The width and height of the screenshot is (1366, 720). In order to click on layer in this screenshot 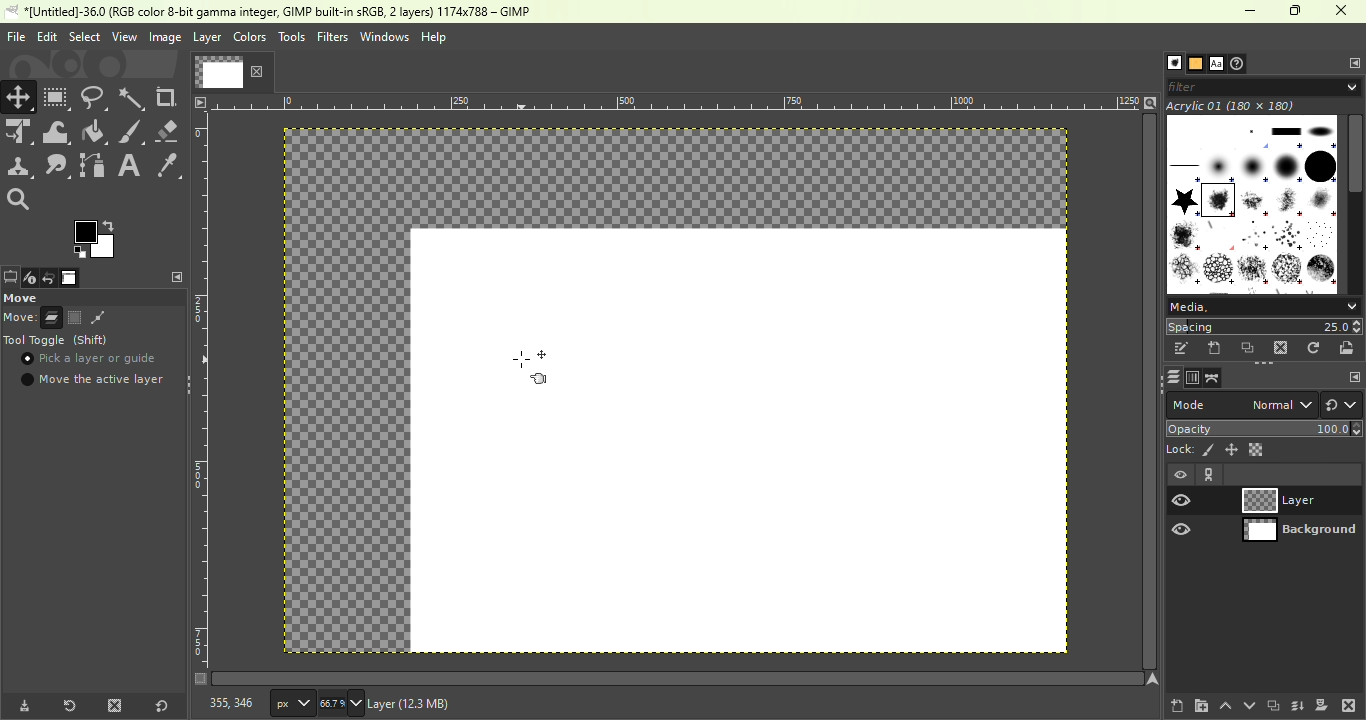, I will do `click(207, 40)`.